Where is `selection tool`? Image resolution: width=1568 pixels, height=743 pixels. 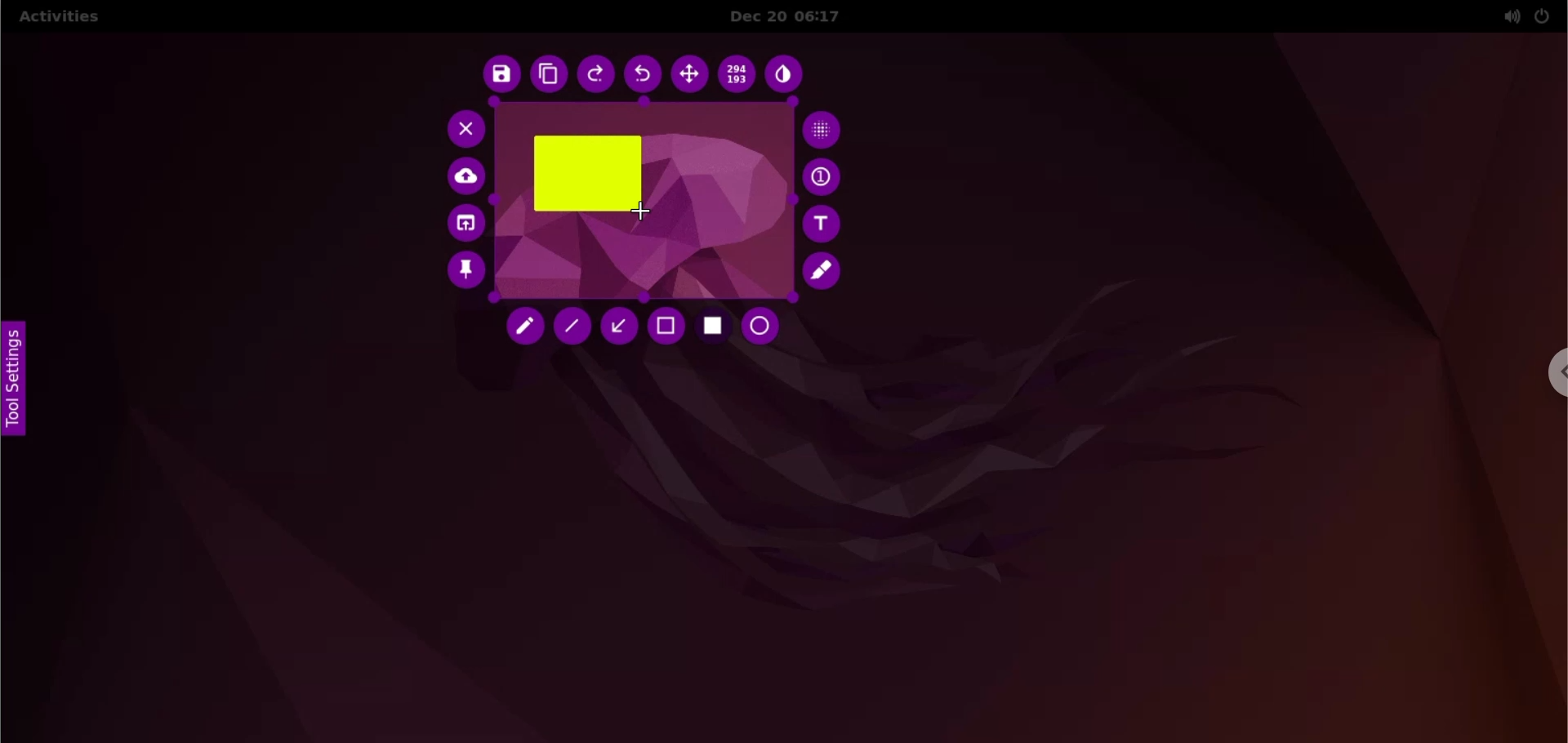
selection tool is located at coordinates (667, 327).